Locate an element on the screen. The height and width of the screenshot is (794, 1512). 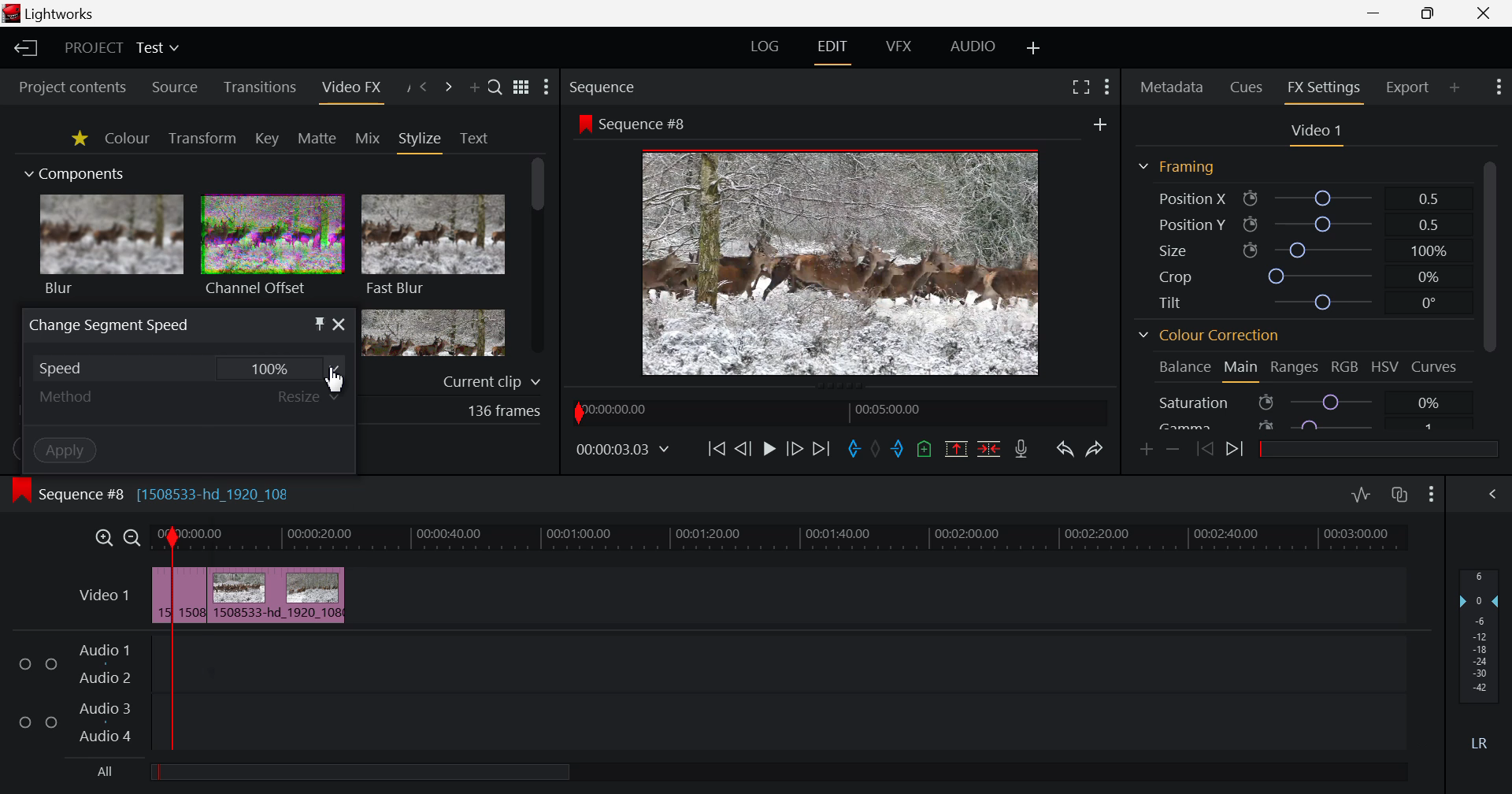
Add Layout is located at coordinates (1032, 48).